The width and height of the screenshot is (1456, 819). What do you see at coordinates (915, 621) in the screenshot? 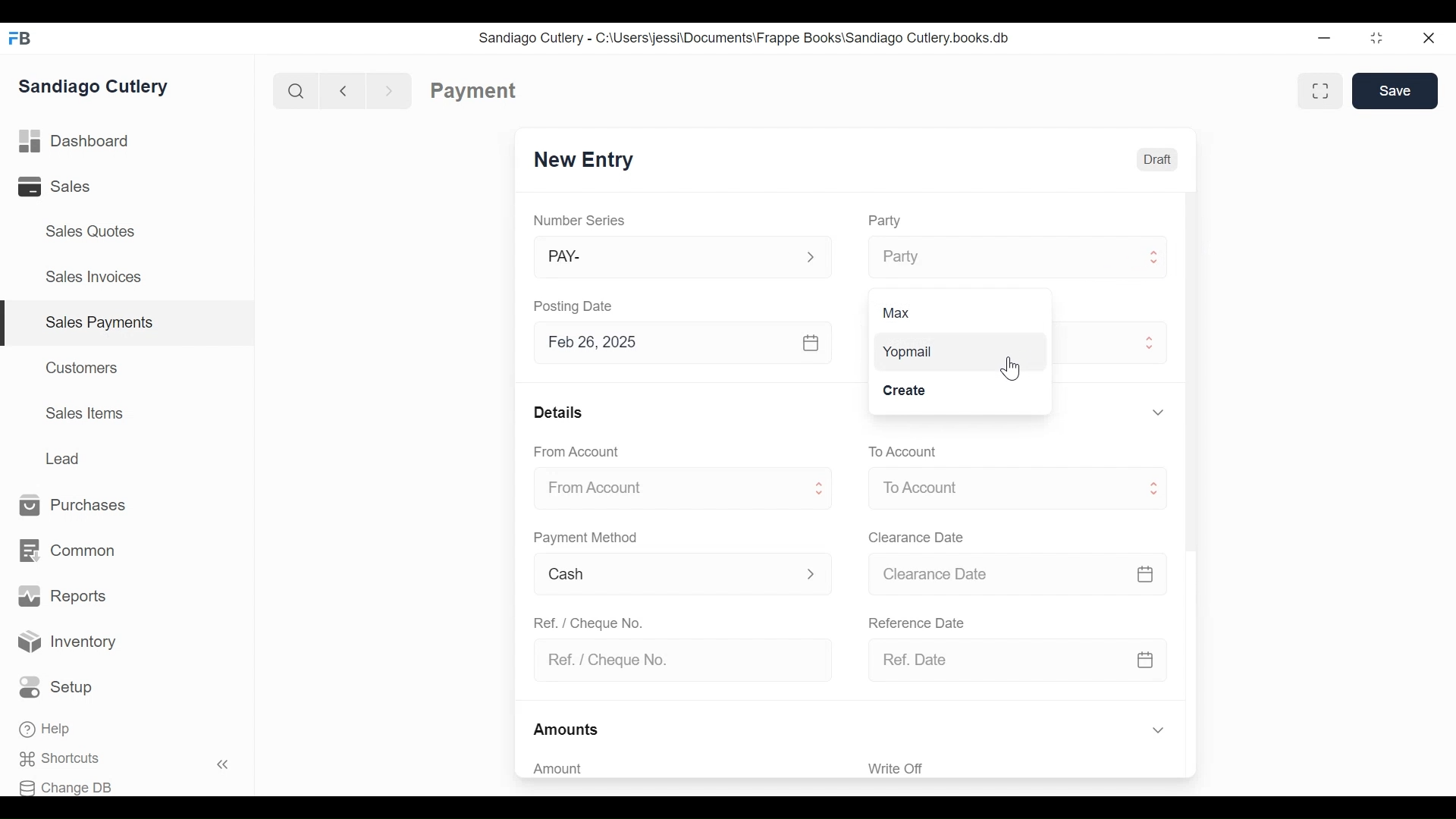
I see `Reference Date` at bounding box center [915, 621].